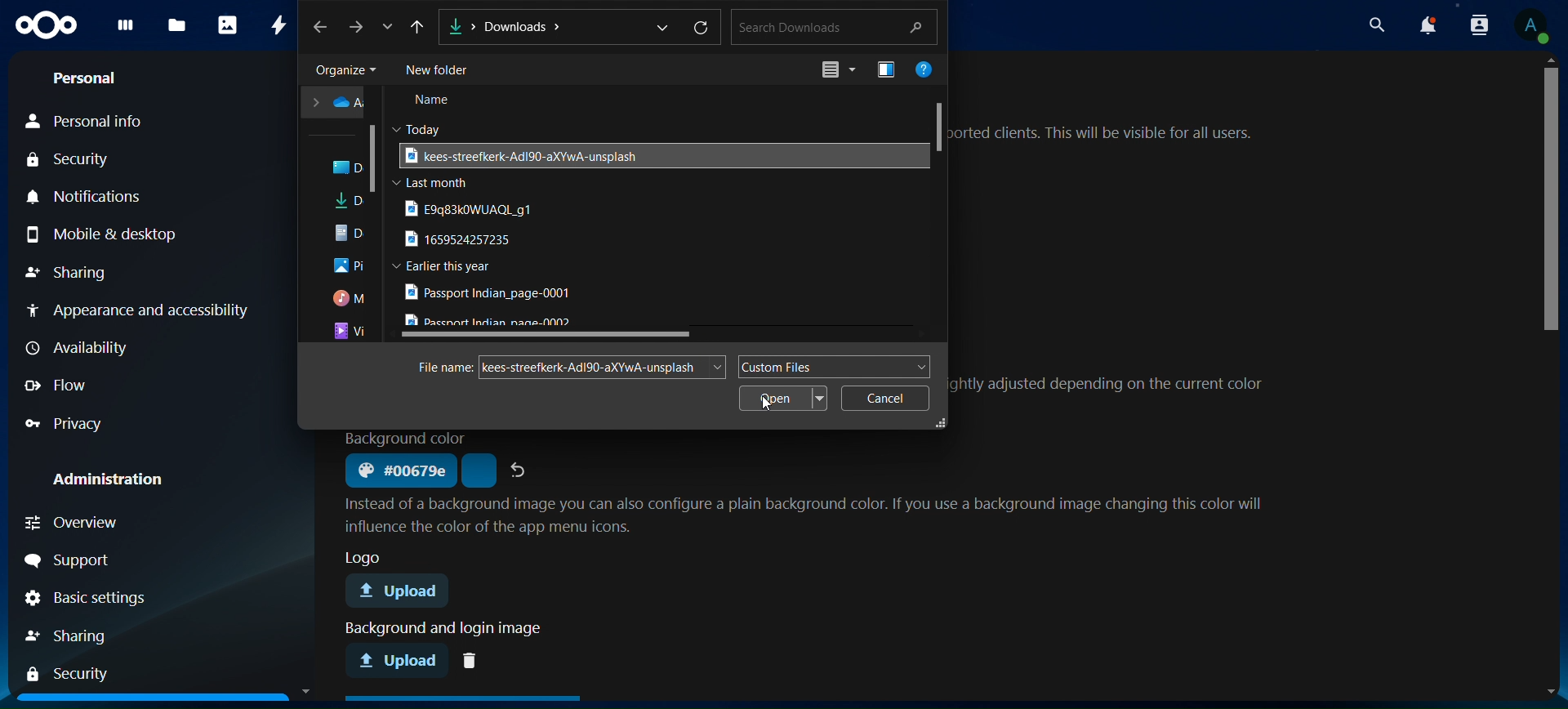  What do you see at coordinates (92, 79) in the screenshot?
I see `personal` at bounding box center [92, 79].